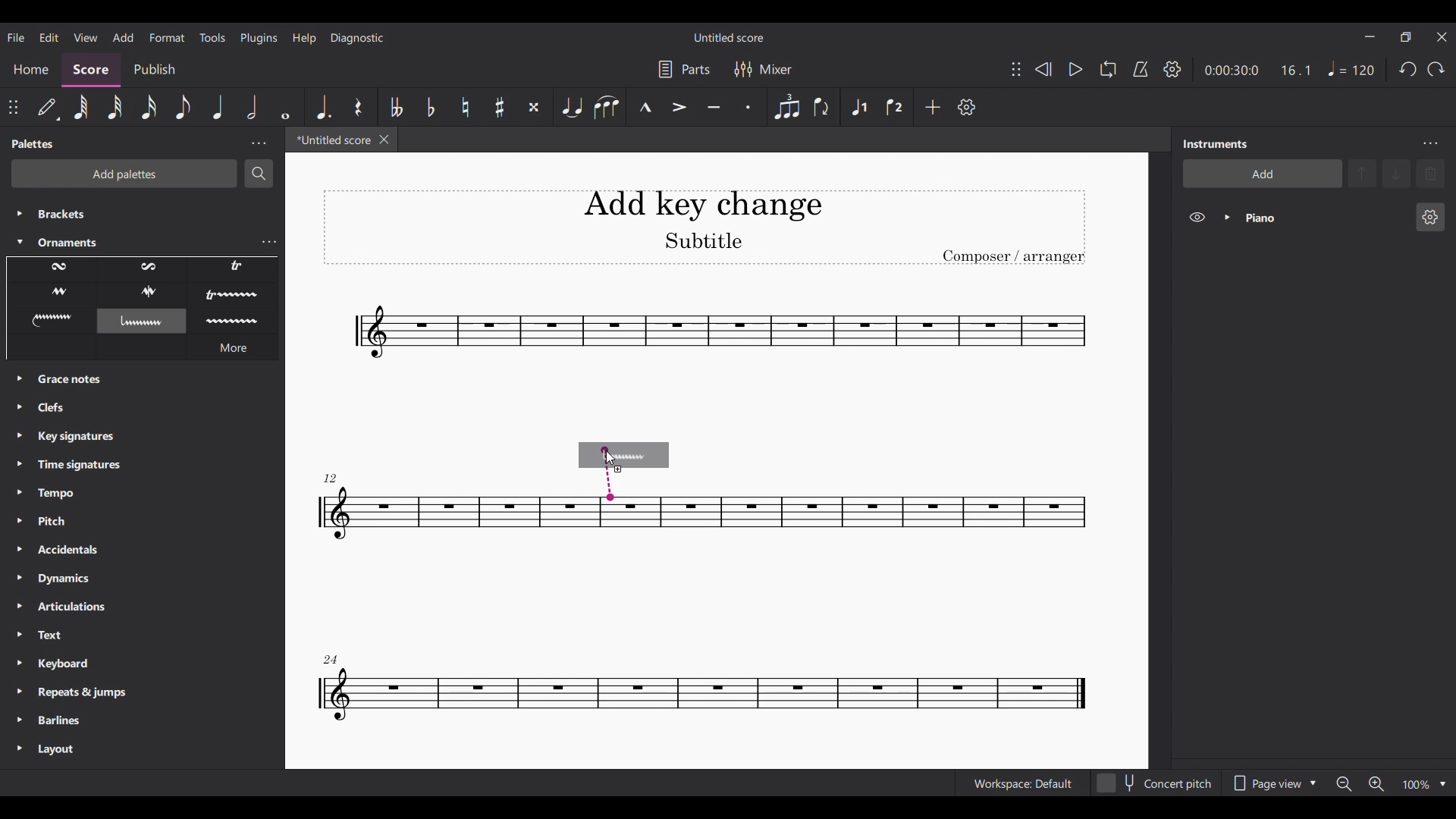 This screenshot has width=1456, height=819. Describe the element at coordinates (534, 106) in the screenshot. I see `Toggle double sharp` at that location.